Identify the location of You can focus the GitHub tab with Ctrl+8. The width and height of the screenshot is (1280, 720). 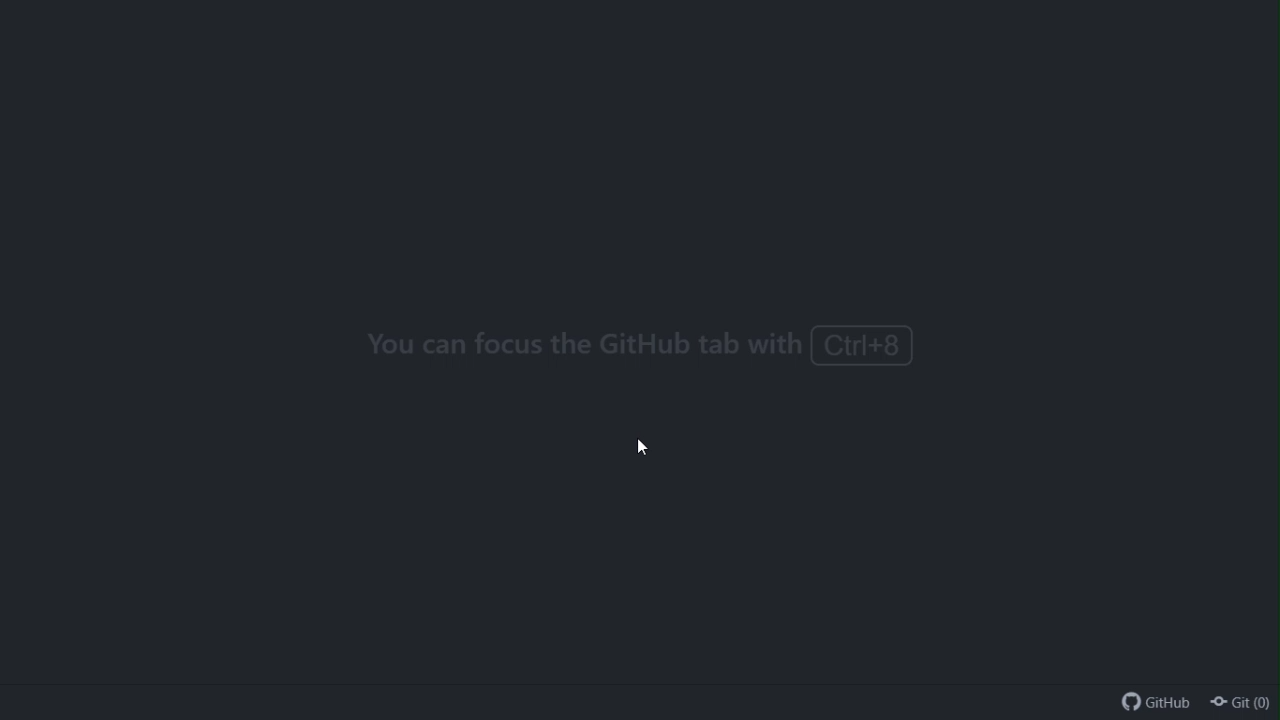
(637, 349).